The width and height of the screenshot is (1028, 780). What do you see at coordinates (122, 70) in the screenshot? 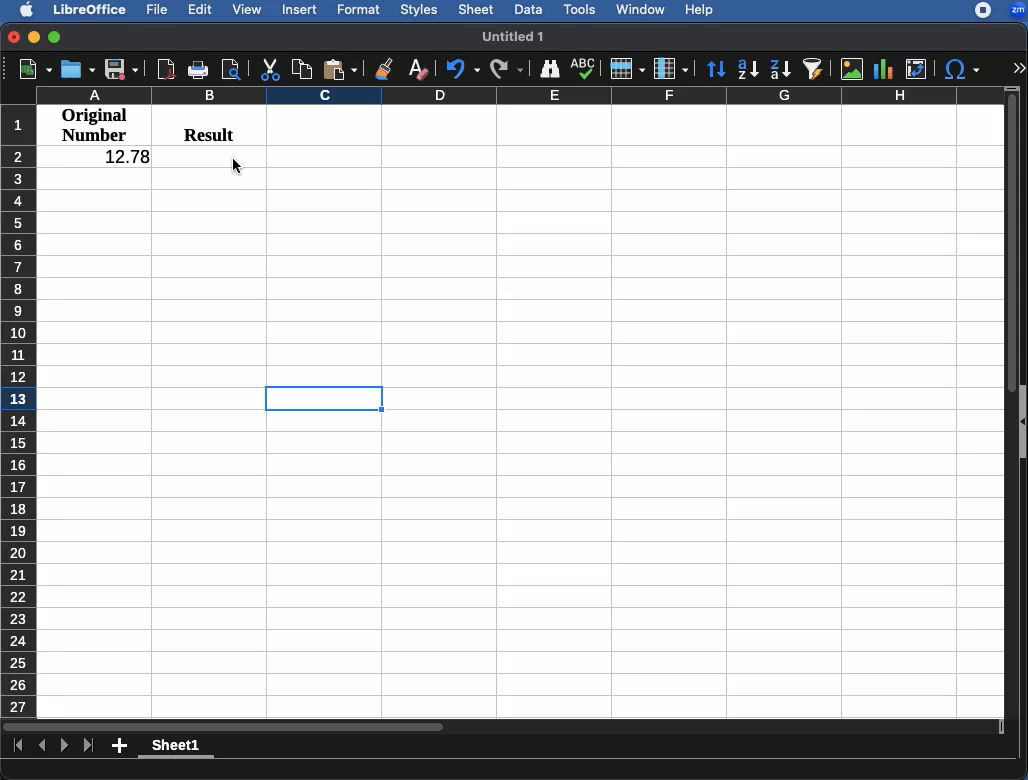
I see `Save` at bounding box center [122, 70].